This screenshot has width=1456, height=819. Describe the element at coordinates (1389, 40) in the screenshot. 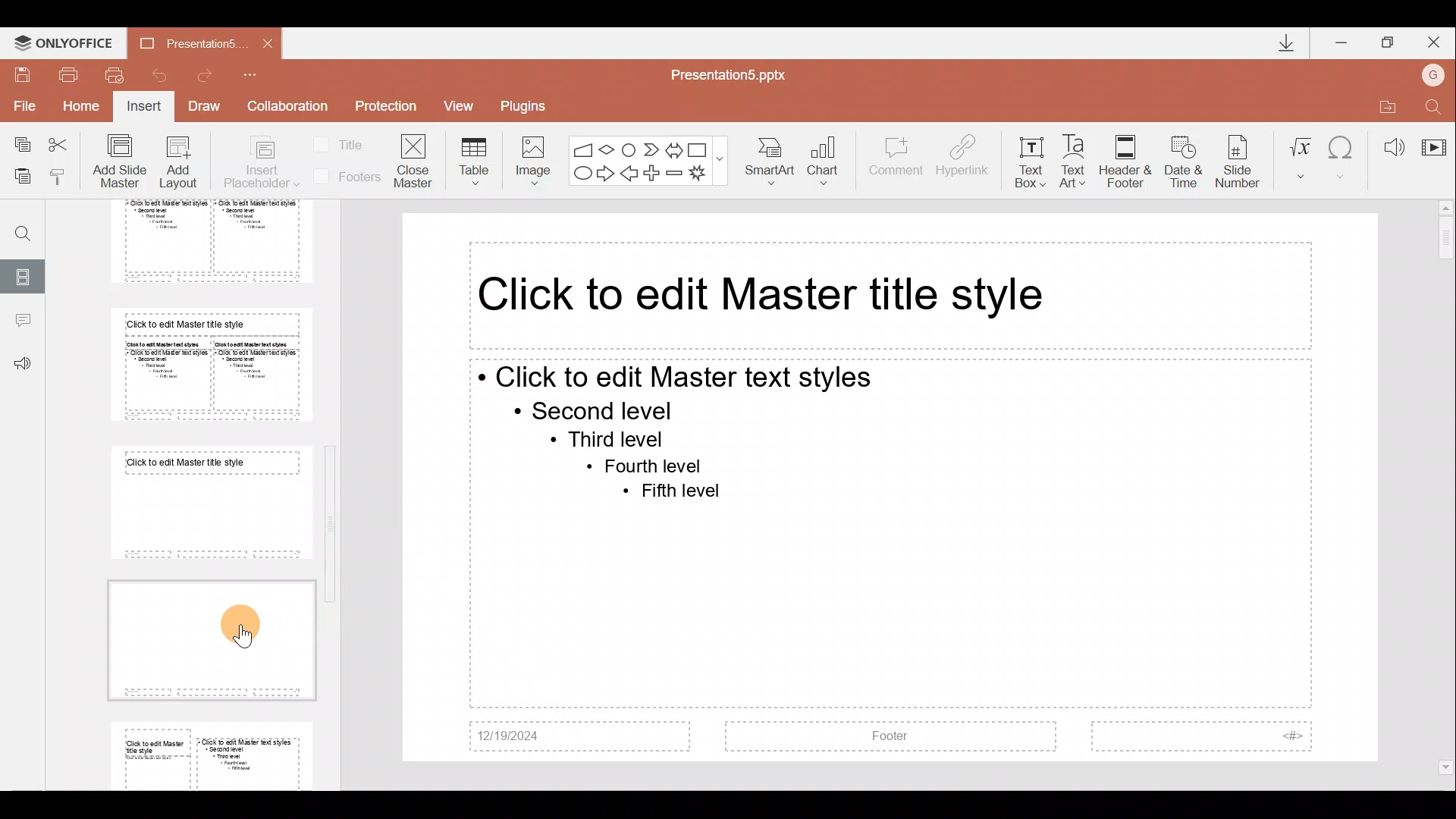

I see `Maximize` at that location.